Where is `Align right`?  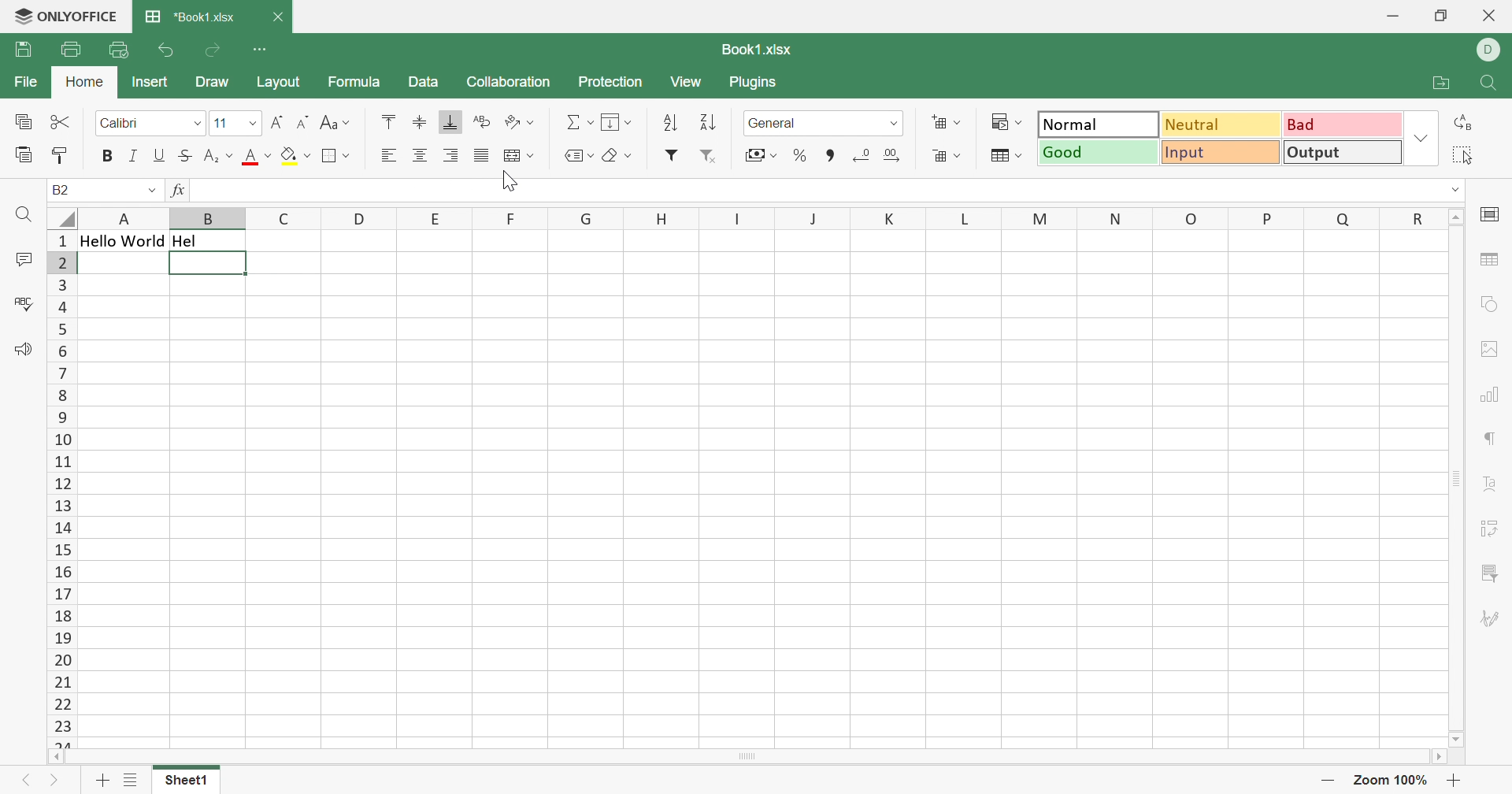 Align right is located at coordinates (452, 157).